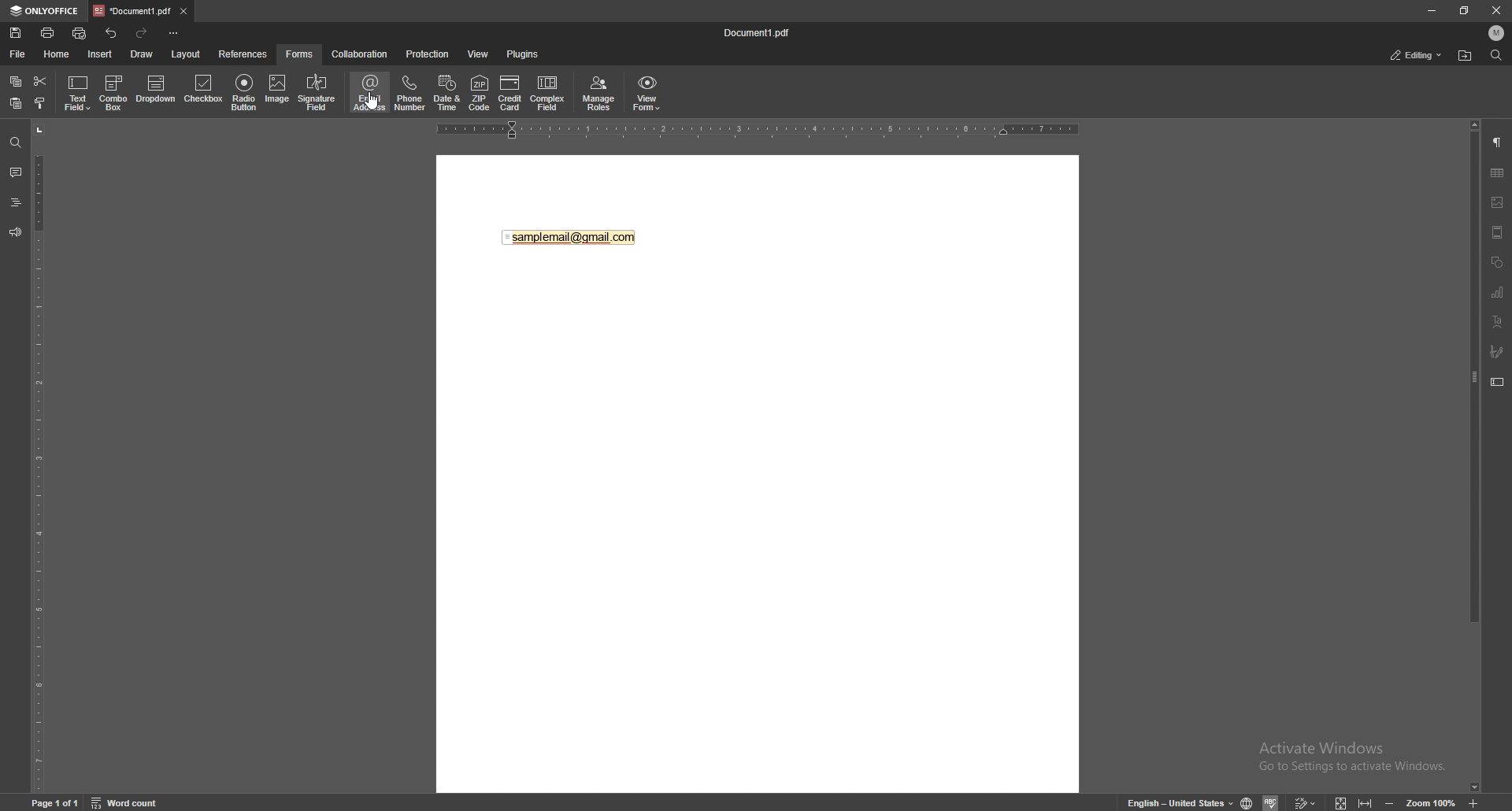 This screenshot has height=811, width=1512. Describe the element at coordinates (1498, 141) in the screenshot. I see `paragraph` at that location.